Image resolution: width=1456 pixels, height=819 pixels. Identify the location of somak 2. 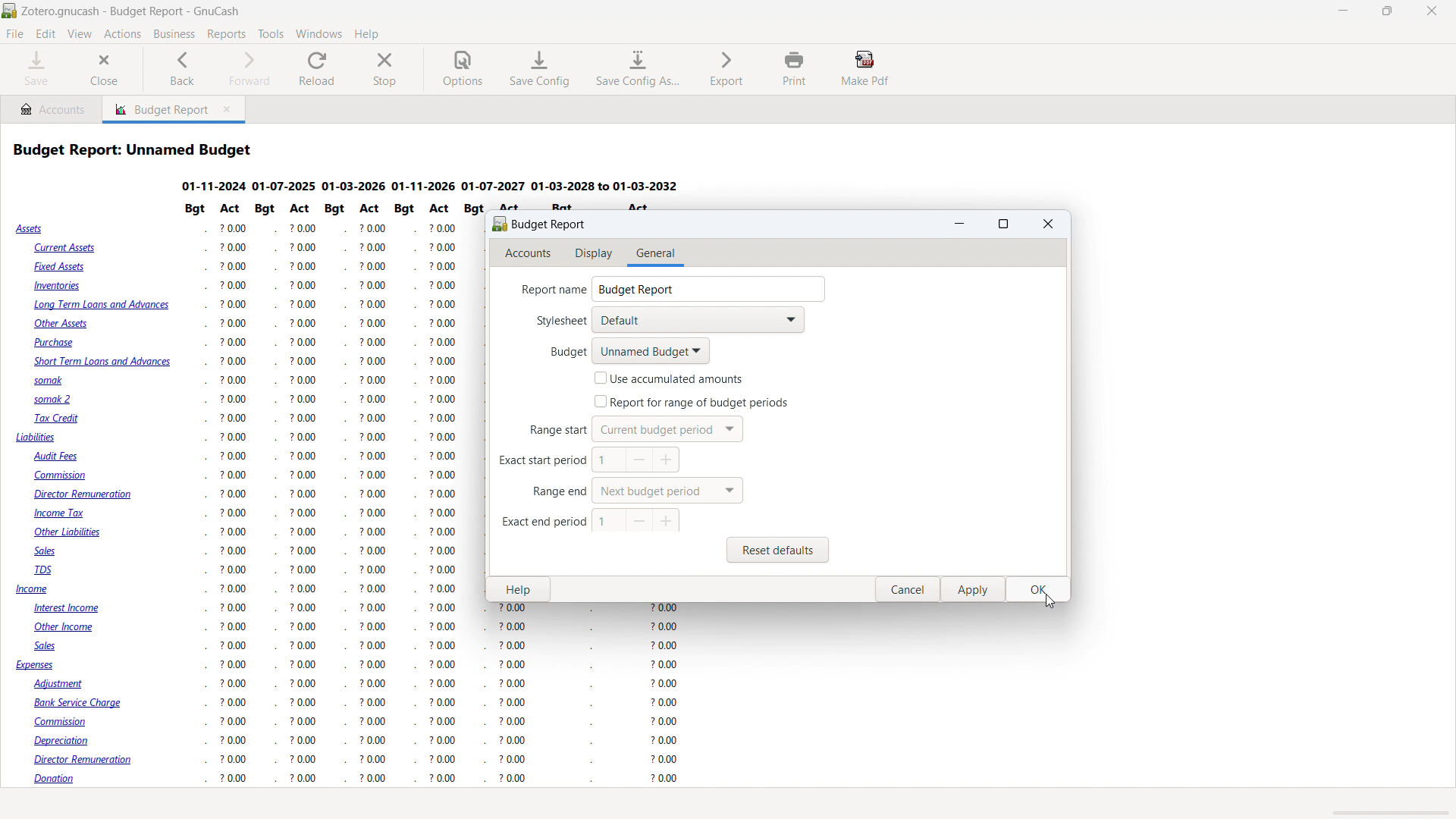
(57, 400).